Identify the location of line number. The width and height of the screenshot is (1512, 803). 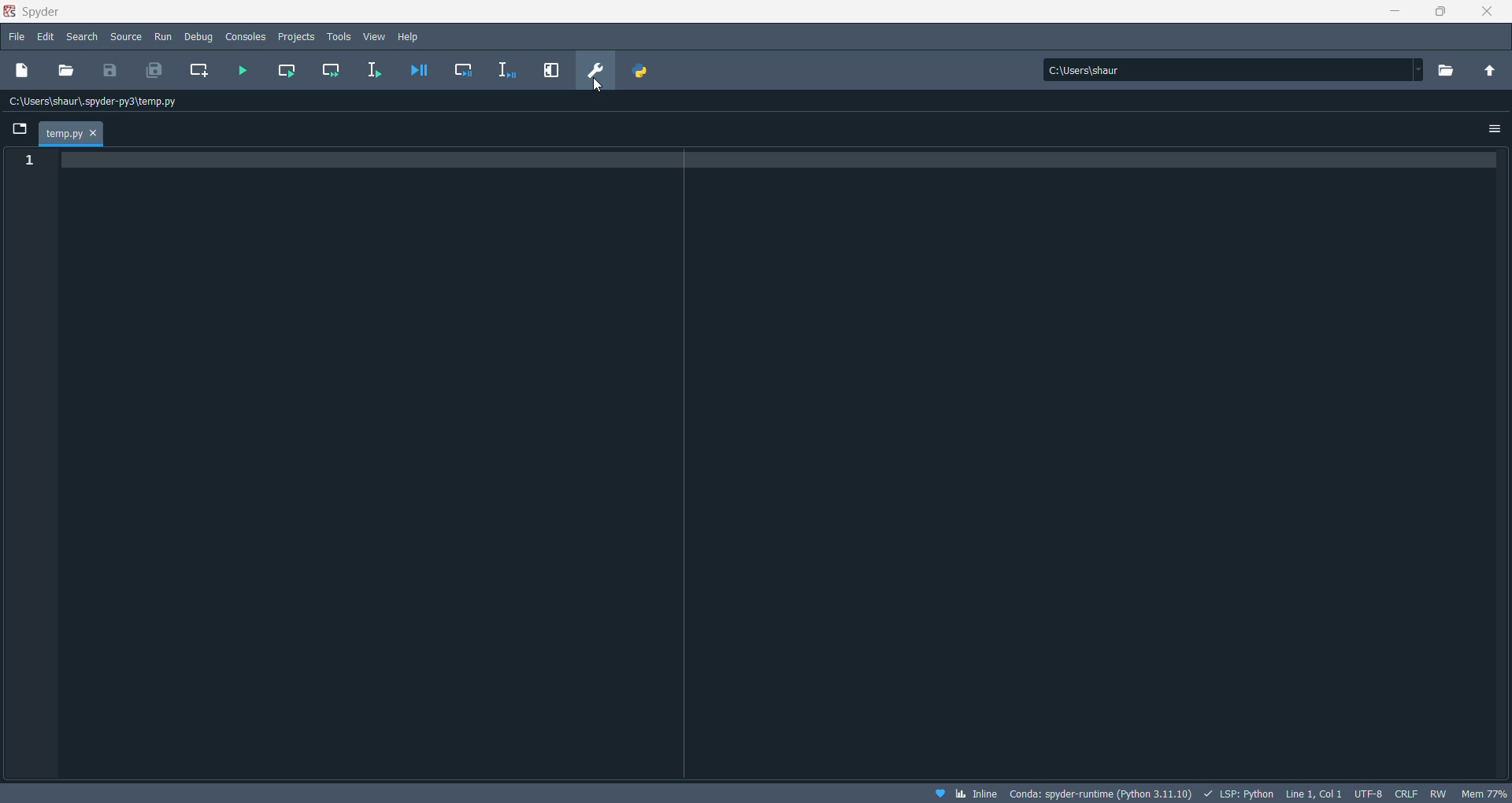
(28, 161).